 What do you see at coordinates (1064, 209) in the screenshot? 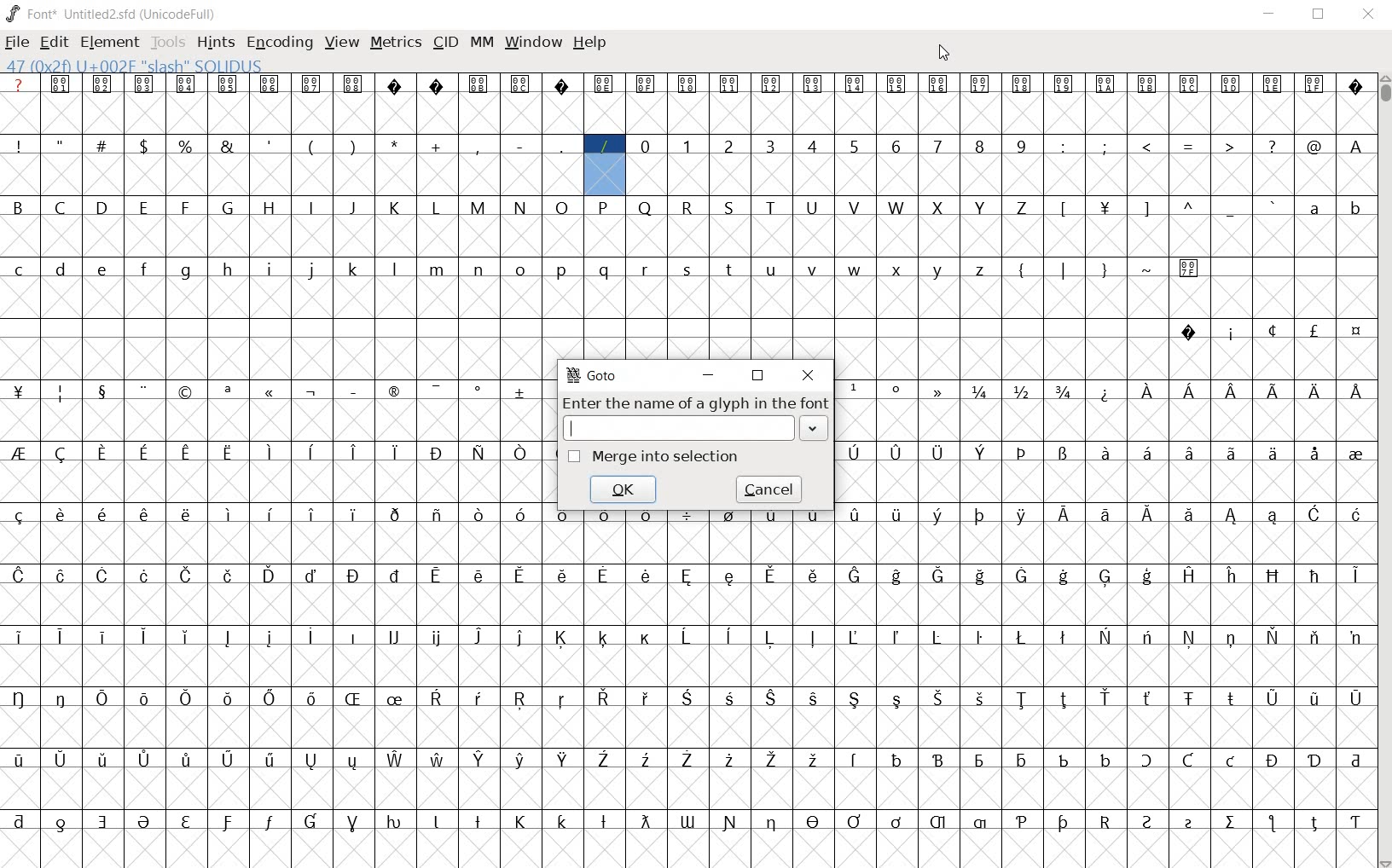
I see `glyph` at bounding box center [1064, 209].